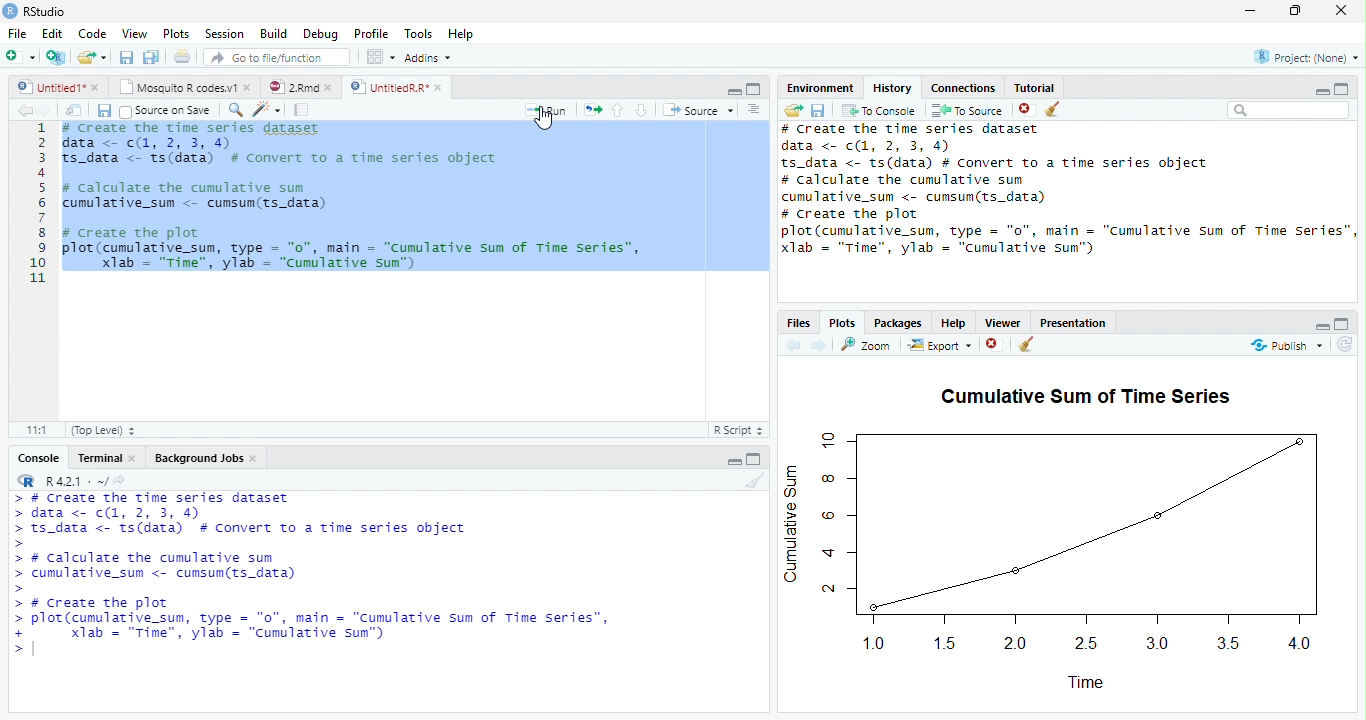  I want to click on Save, so click(126, 59).